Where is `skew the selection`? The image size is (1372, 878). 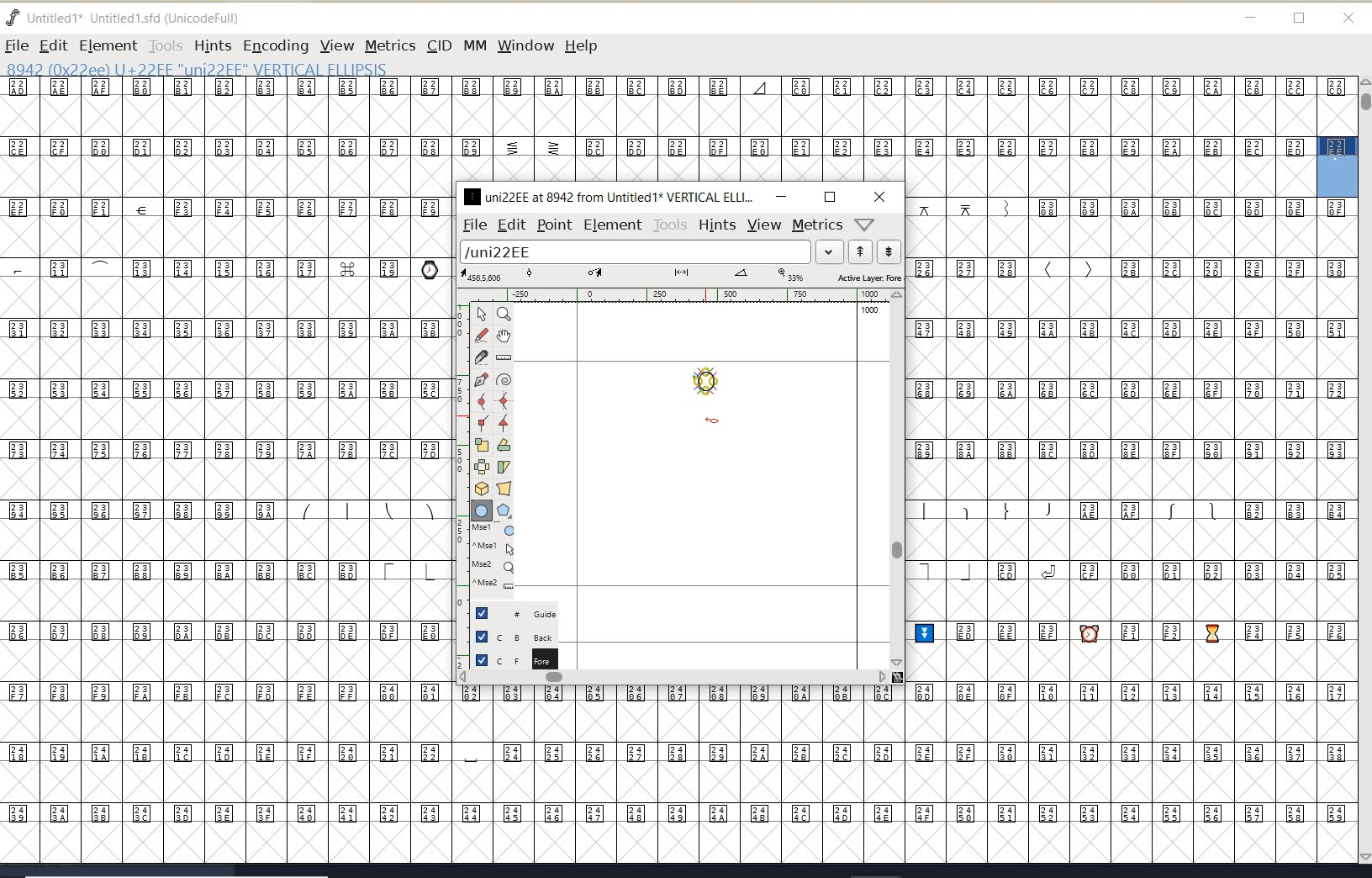 skew the selection is located at coordinates (503, 468).